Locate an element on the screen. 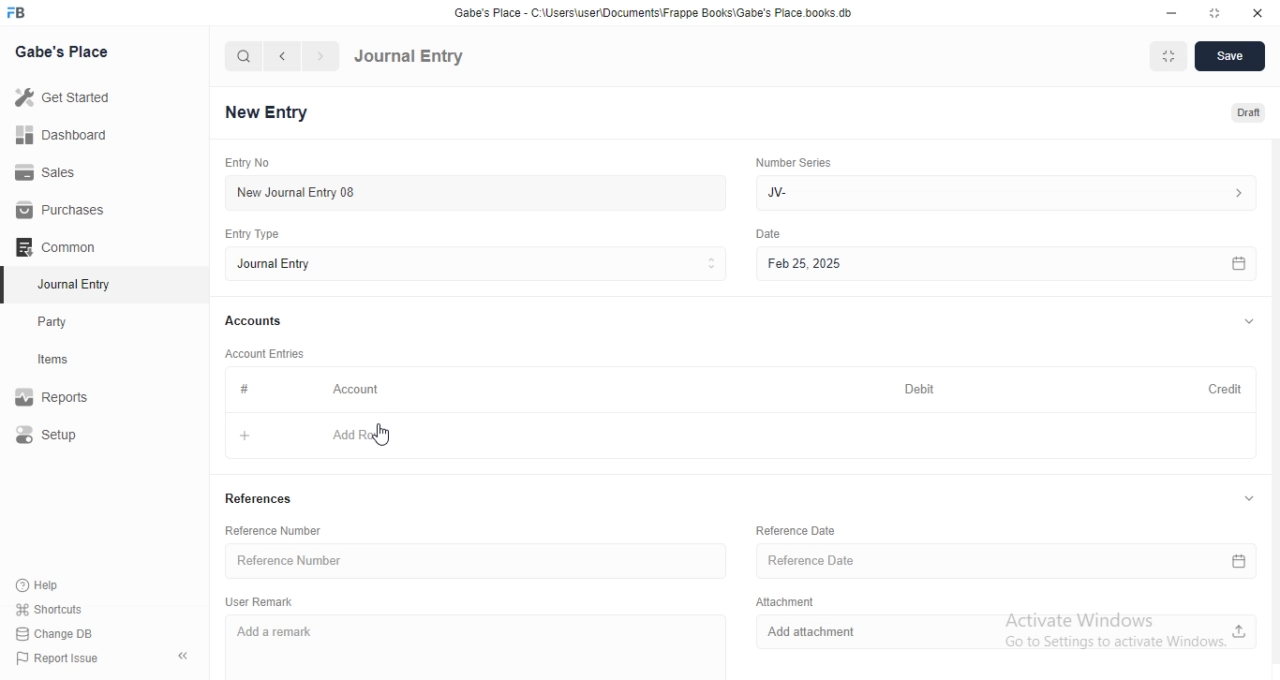 The height and width of the screenshot is (680, 1280). Reference Date is located at coordinates (793, 530).